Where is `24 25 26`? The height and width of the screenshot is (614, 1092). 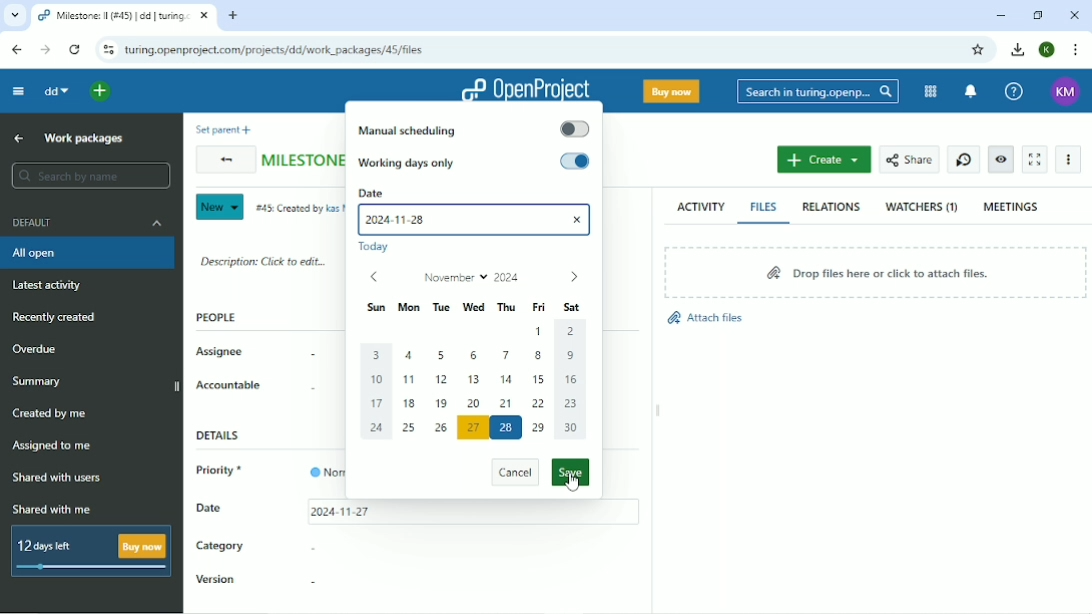
24 25 26 is located at coordinates (412, 428).